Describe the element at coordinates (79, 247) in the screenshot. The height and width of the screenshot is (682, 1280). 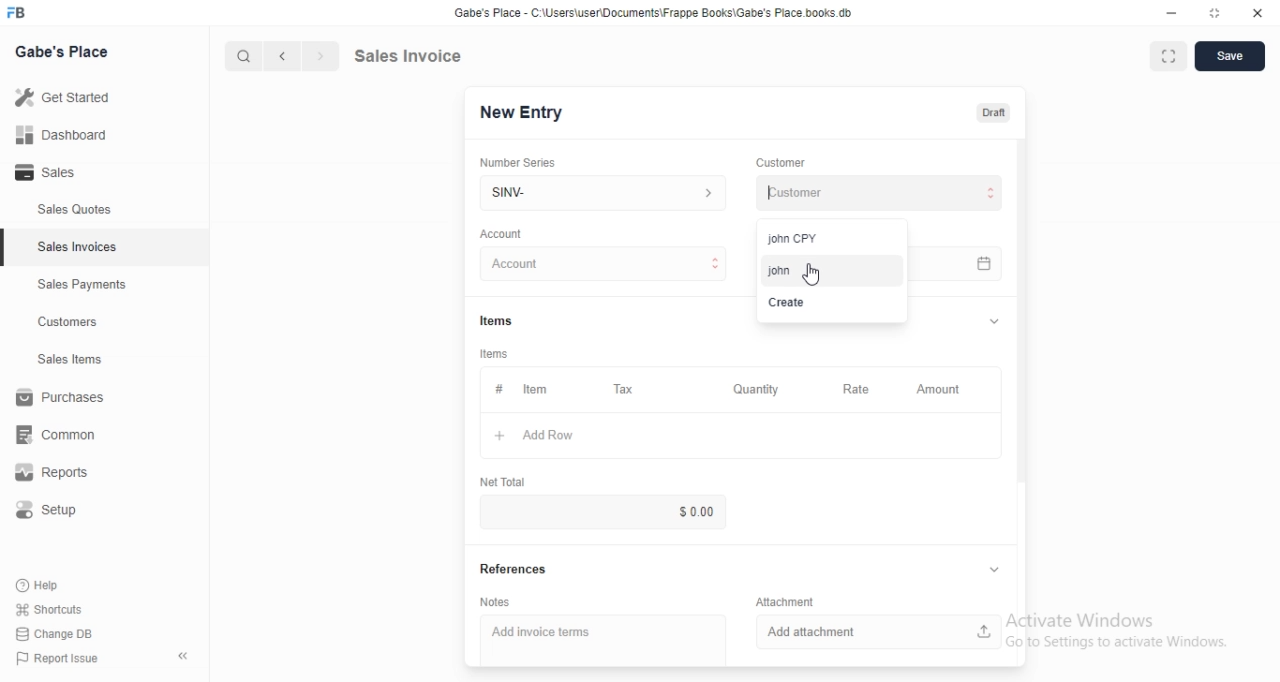
I see `Sales Invoices` at that location.